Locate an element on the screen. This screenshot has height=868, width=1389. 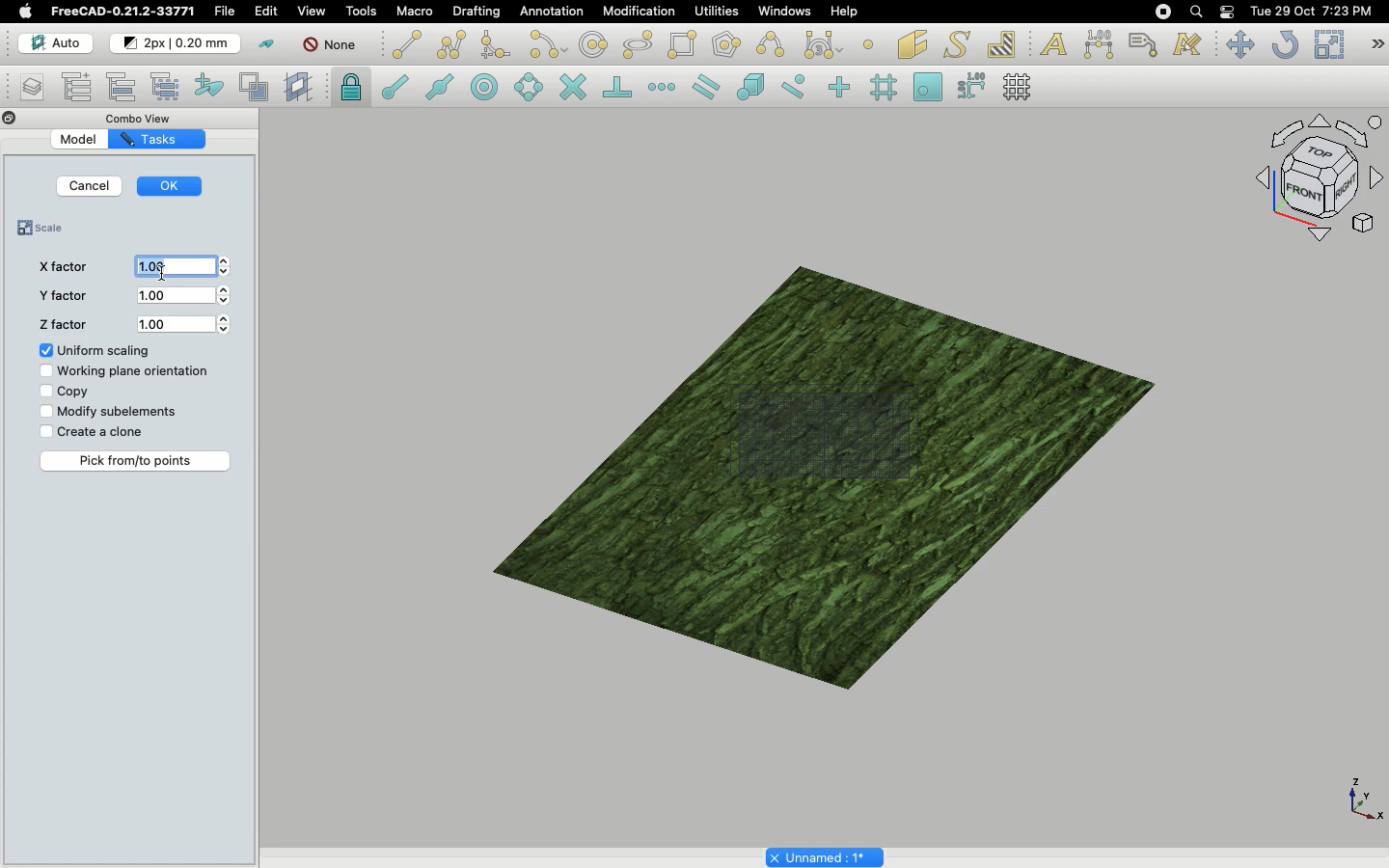
Modification is located at coordinates (633, 11).